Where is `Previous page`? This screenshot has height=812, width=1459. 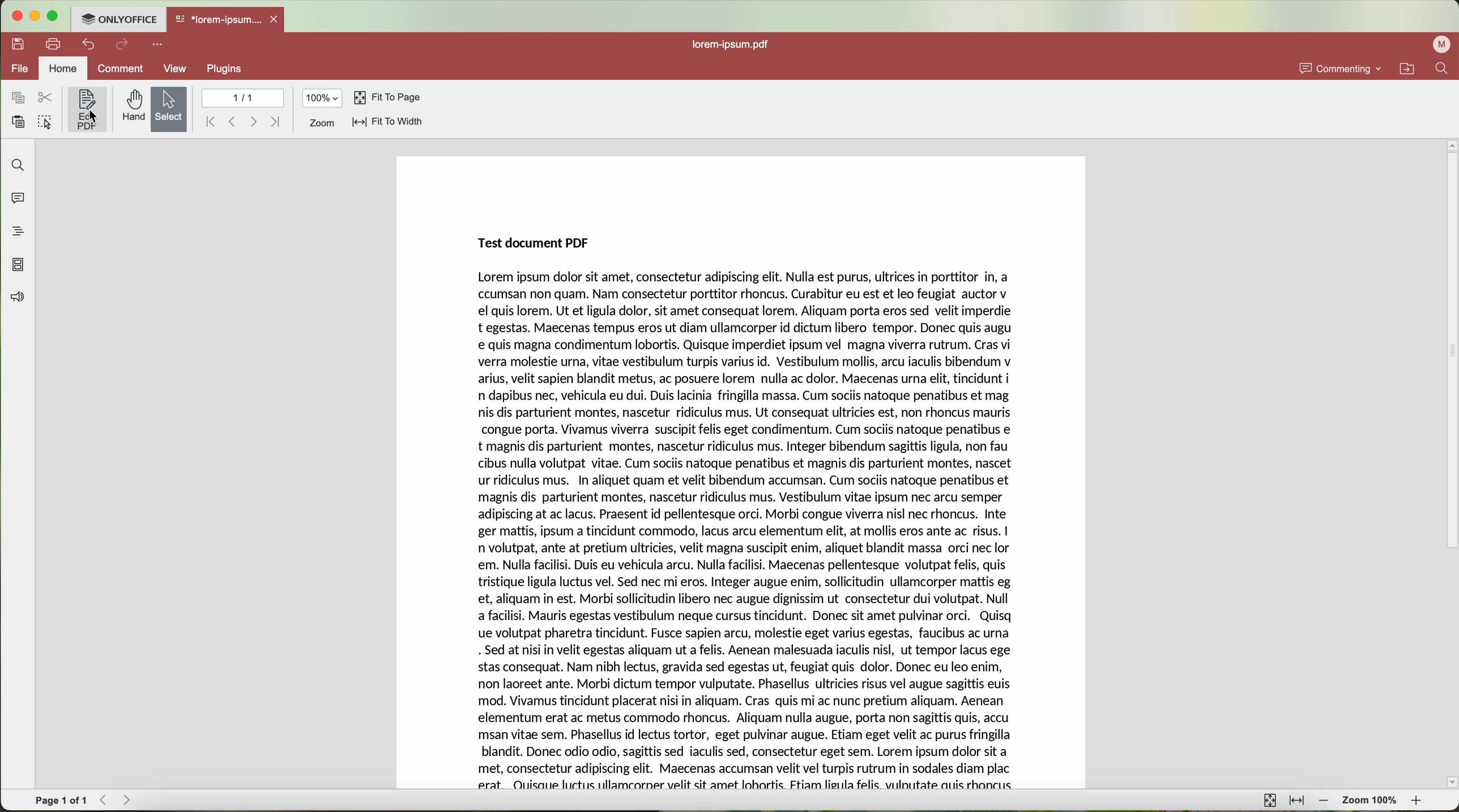 Previous page is located at coordinates (233, 122).